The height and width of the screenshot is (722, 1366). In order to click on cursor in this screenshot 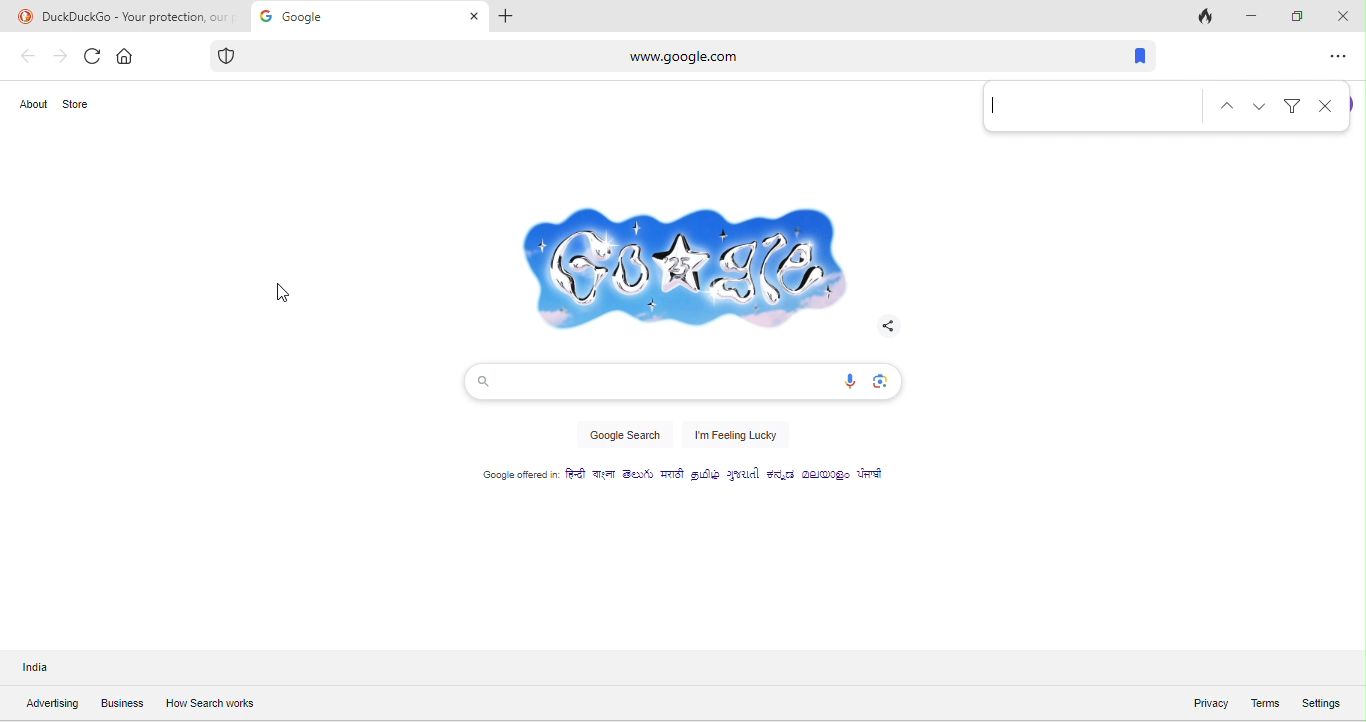, I will do `click(281, 296)`.